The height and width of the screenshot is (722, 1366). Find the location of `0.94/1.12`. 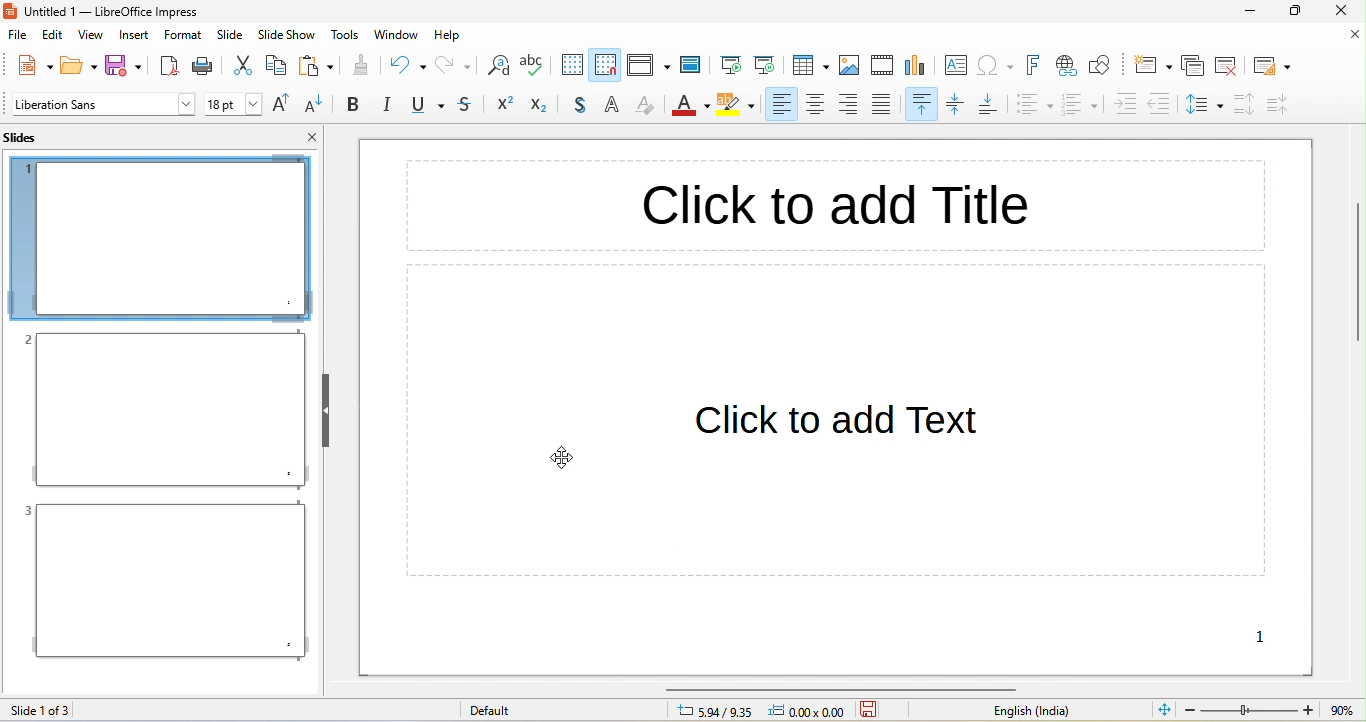

0.94/1.12 is located at coordinates (712, 712).